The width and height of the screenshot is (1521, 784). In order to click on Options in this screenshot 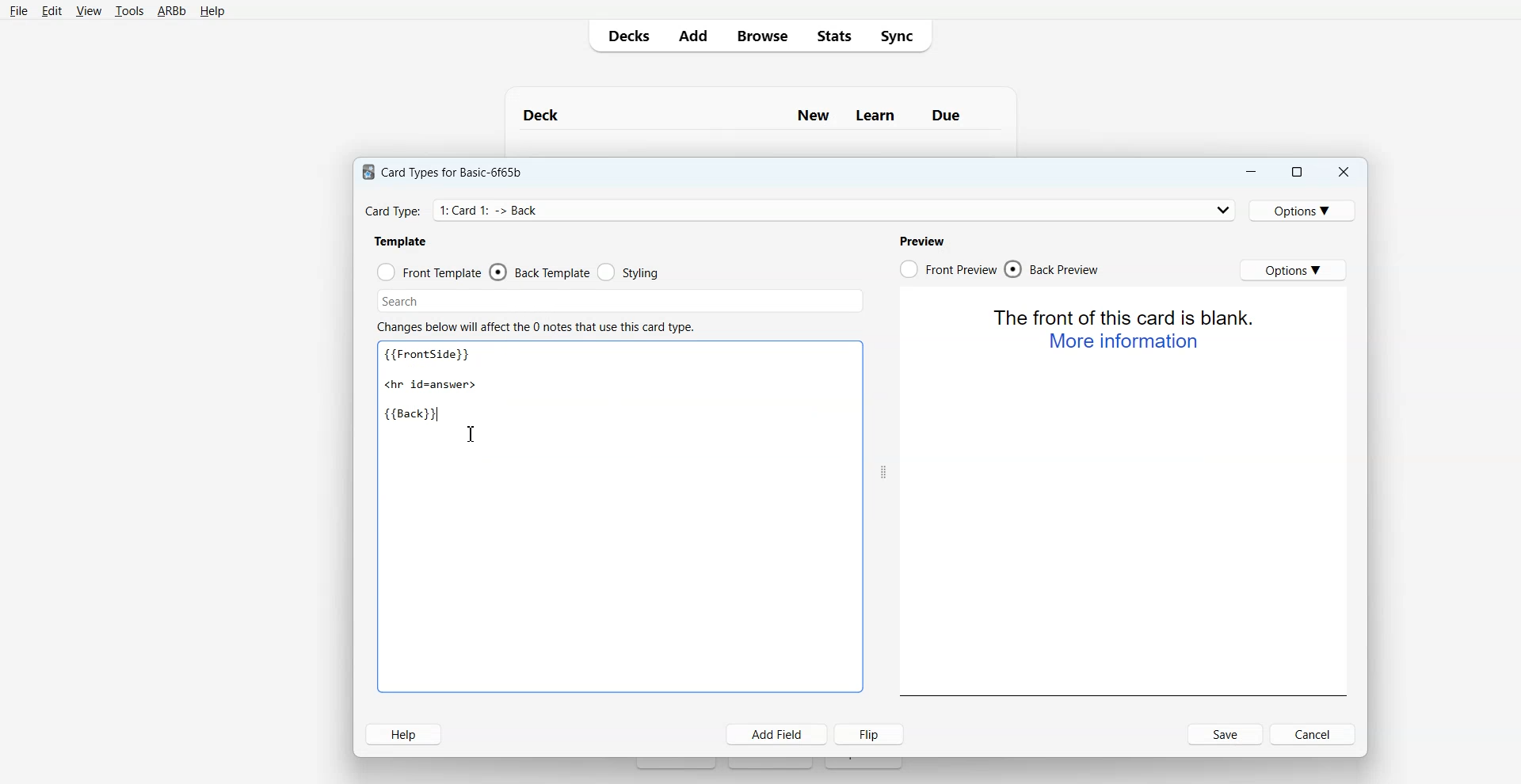, I will do `click(1306, 209)`.